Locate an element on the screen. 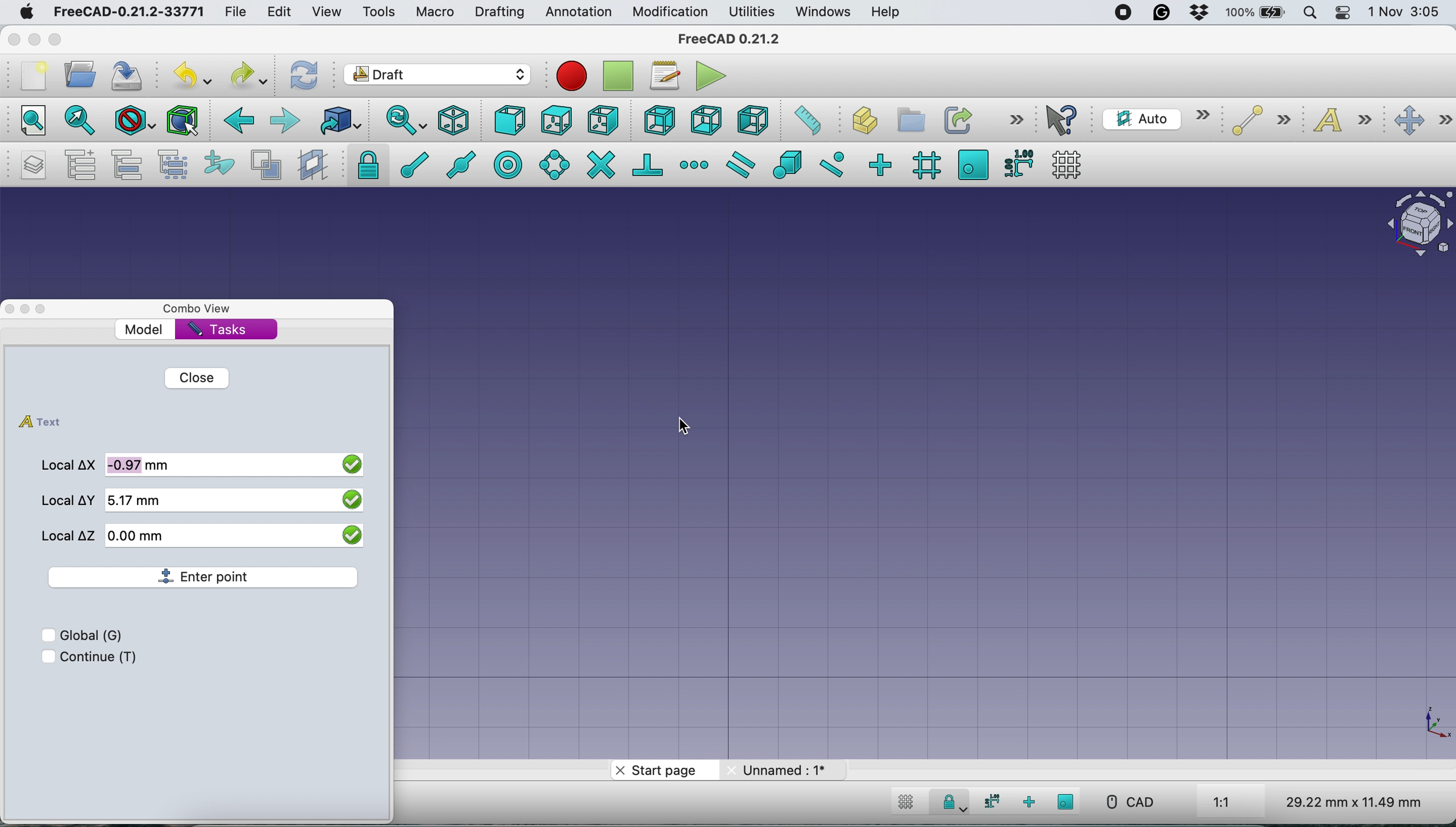  measure distance is located at coordinates (803, 120).